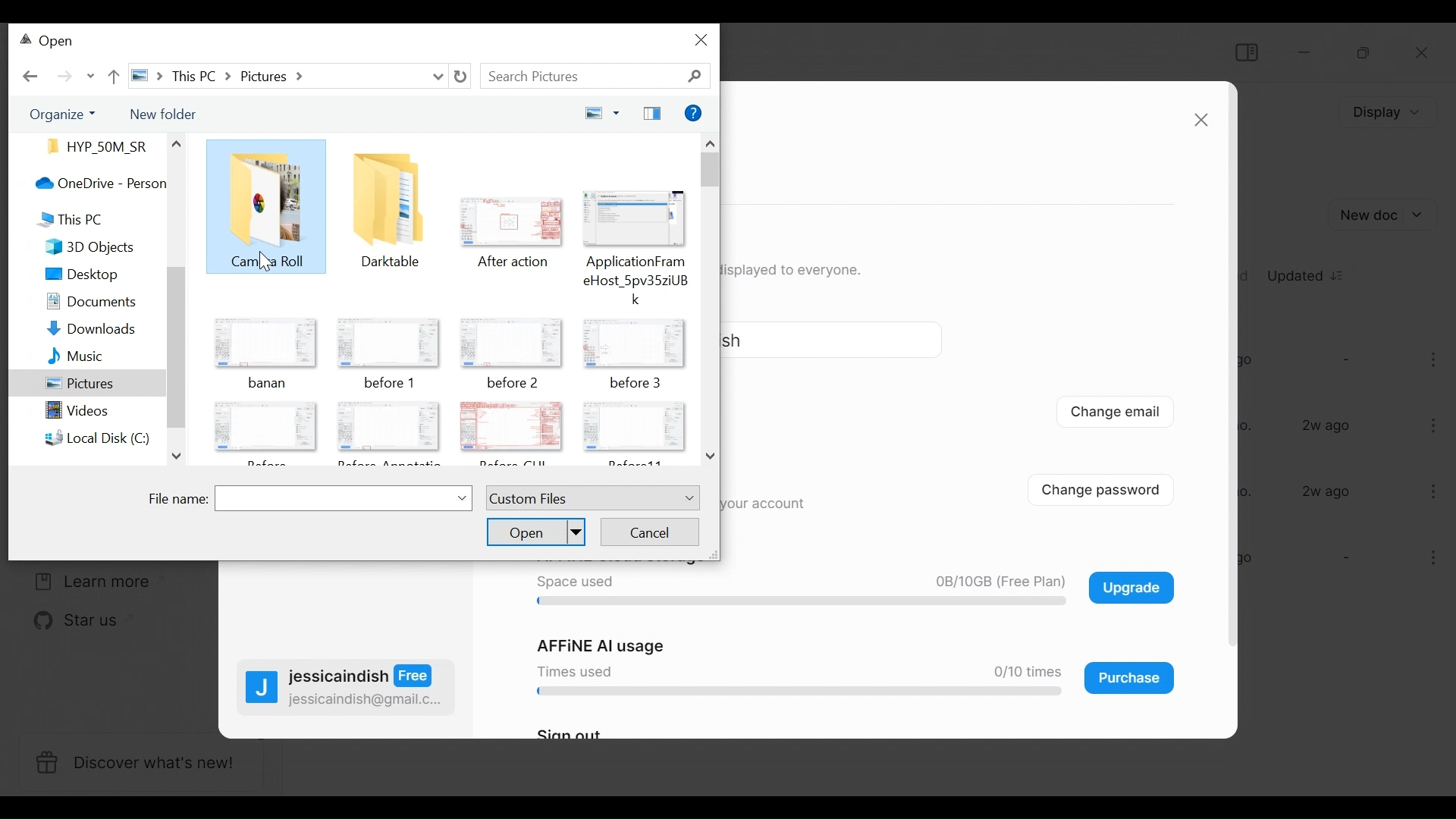 This screenshot has height=819, width=1456. I want to click on Custom Files, so click(591, 498).